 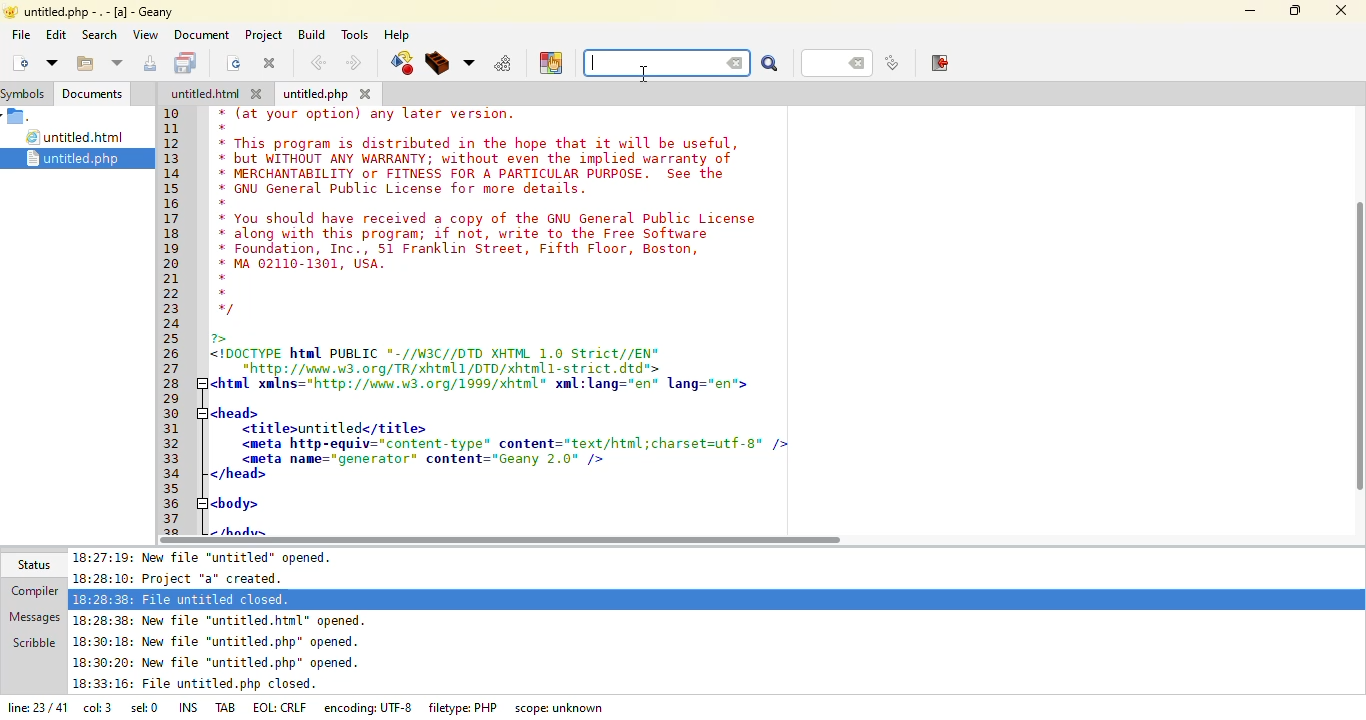 What do you see at coordinates (438, 64) in the screenshot?
I see `build` at bounding box center [438, 64].